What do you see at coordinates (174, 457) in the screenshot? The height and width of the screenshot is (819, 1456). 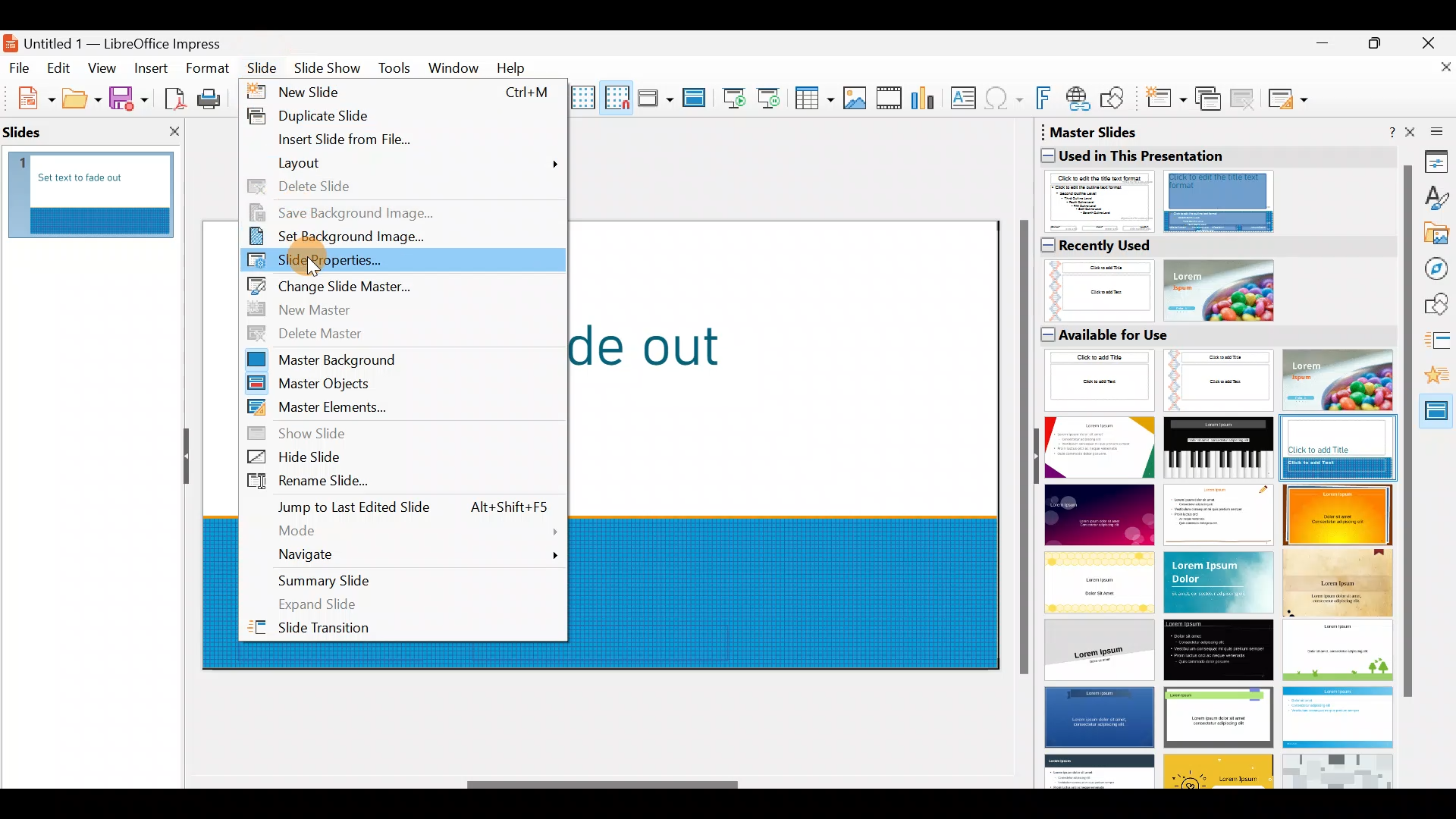 I see `` at bounding box center [174, 457].